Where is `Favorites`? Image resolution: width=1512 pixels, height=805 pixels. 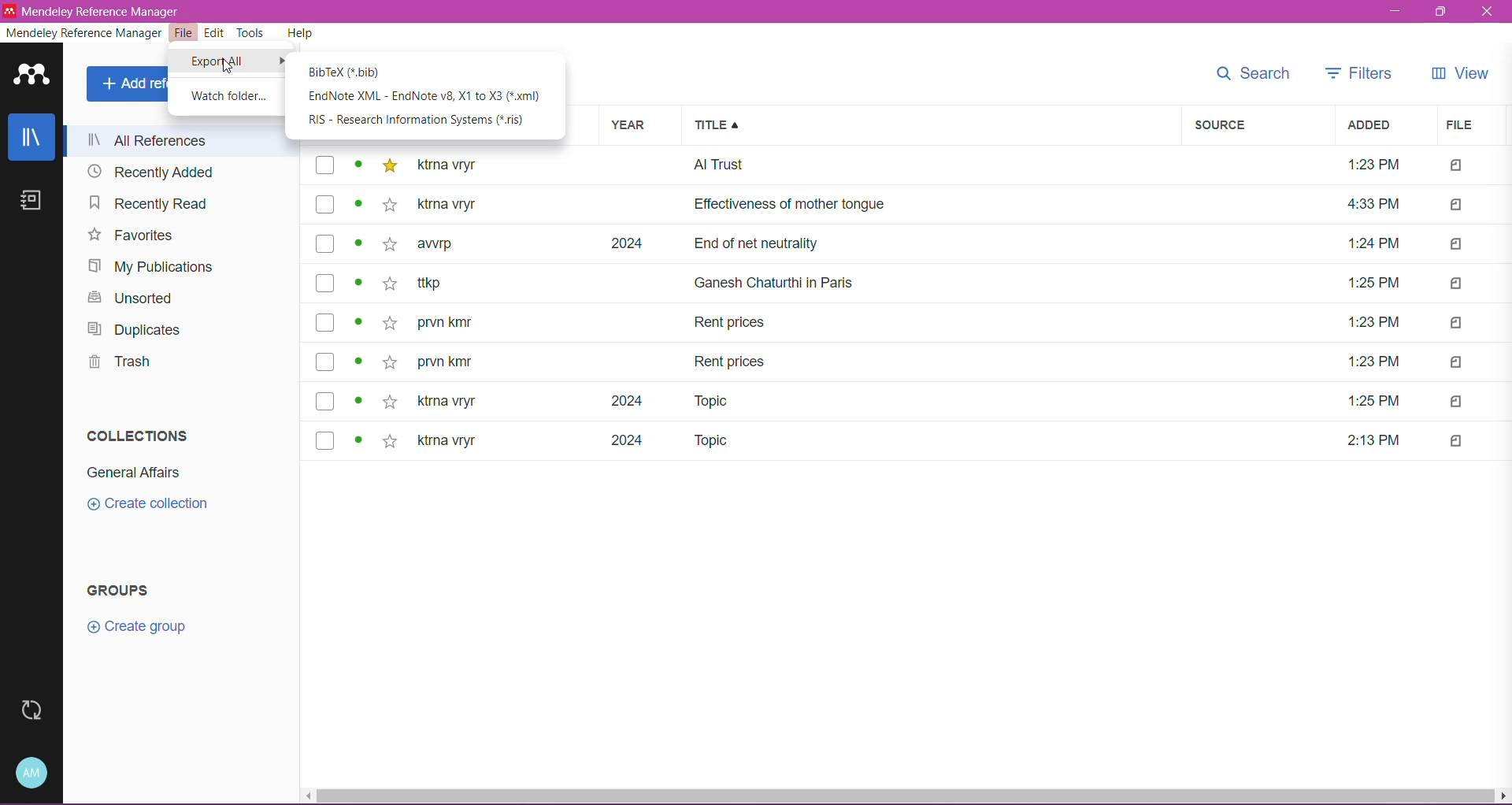
Favorites is located at coordinates (129, 236).